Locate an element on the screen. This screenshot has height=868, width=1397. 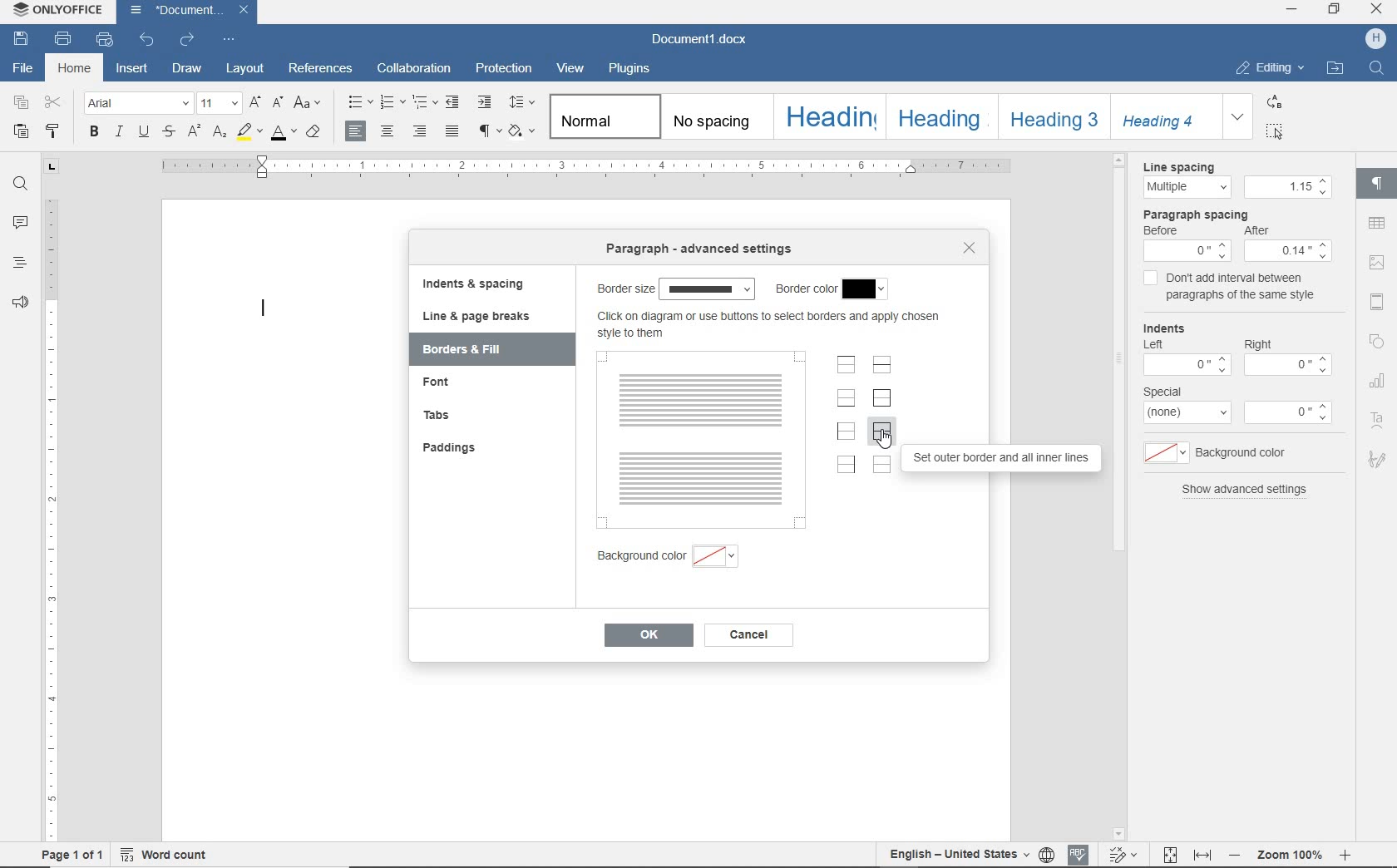
Pointer is located at coordinates (889, 447).